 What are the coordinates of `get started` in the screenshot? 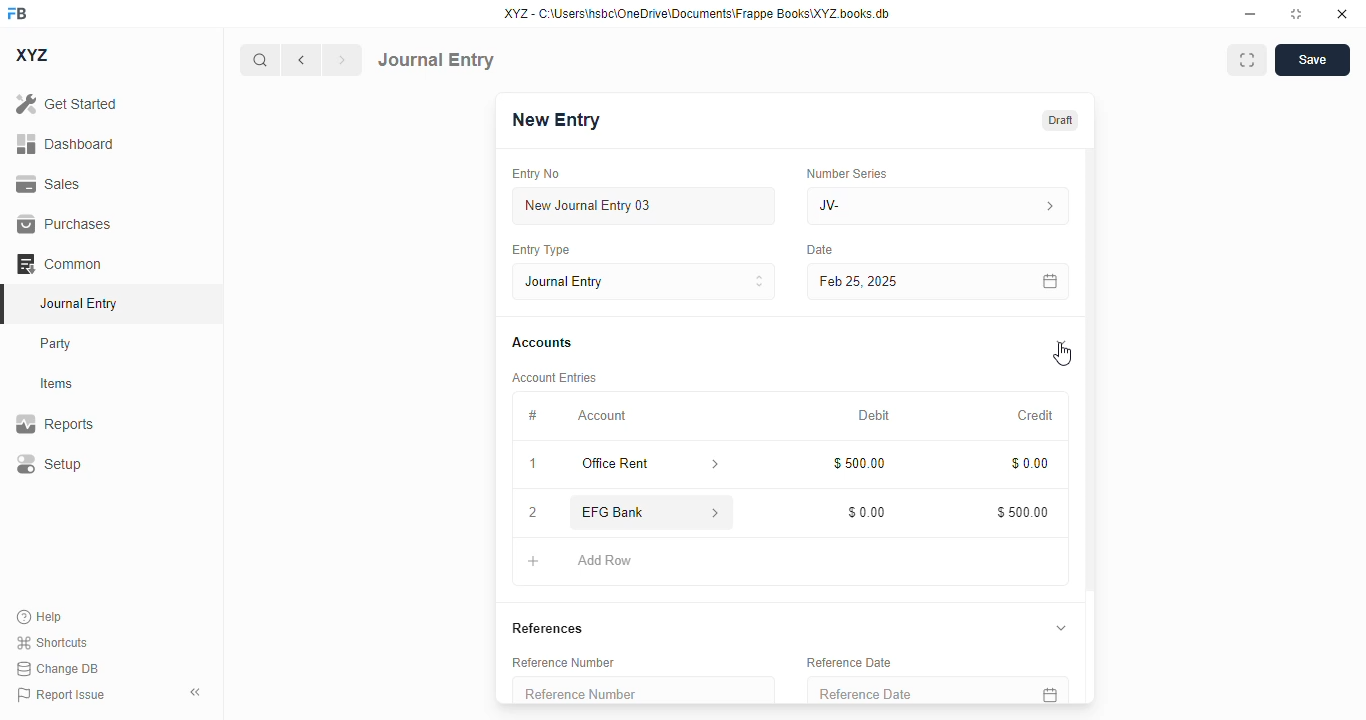 It's located at (66, 103).